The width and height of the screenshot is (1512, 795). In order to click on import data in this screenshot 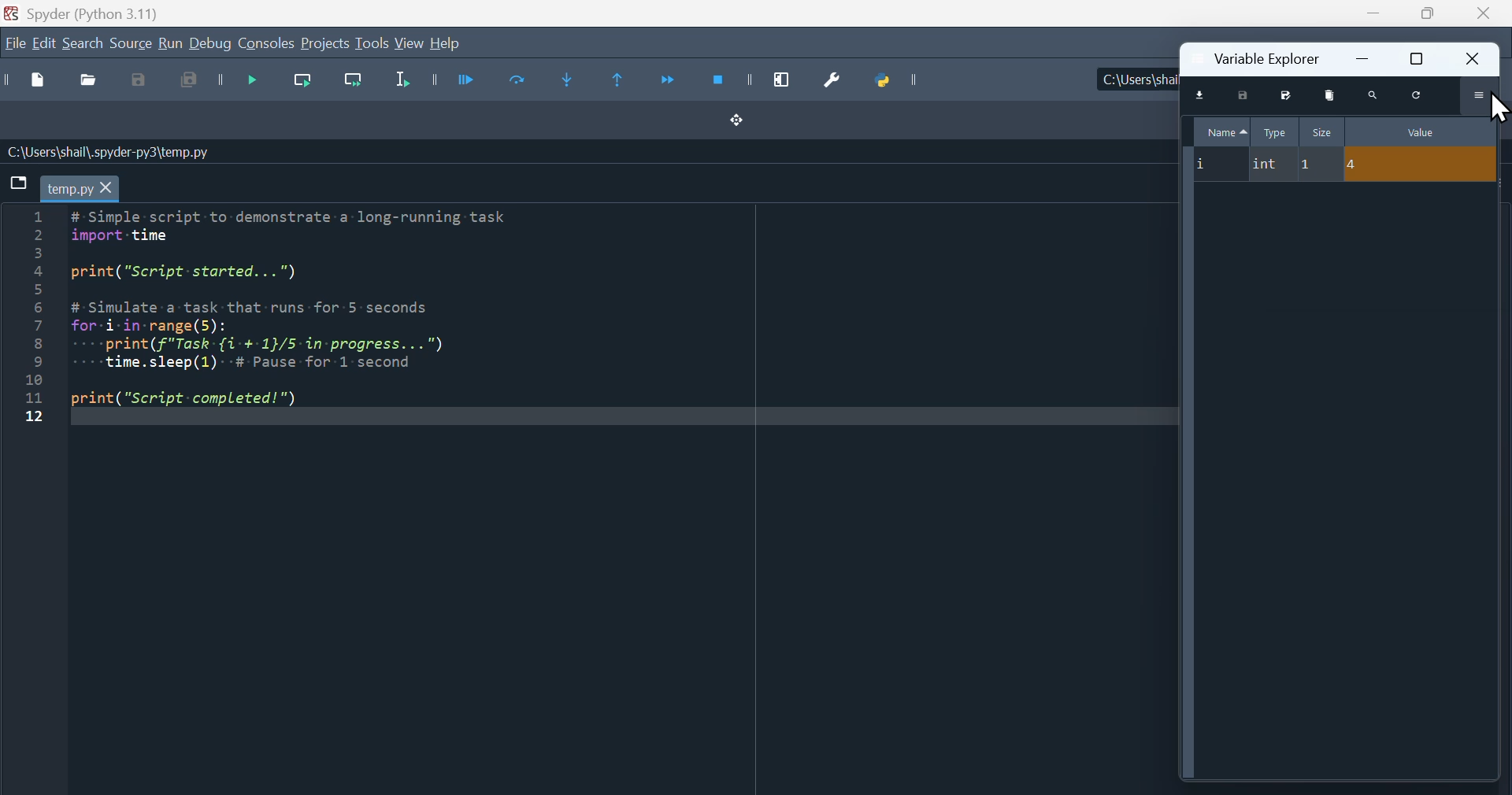, I will do `click(1203, 96)`.